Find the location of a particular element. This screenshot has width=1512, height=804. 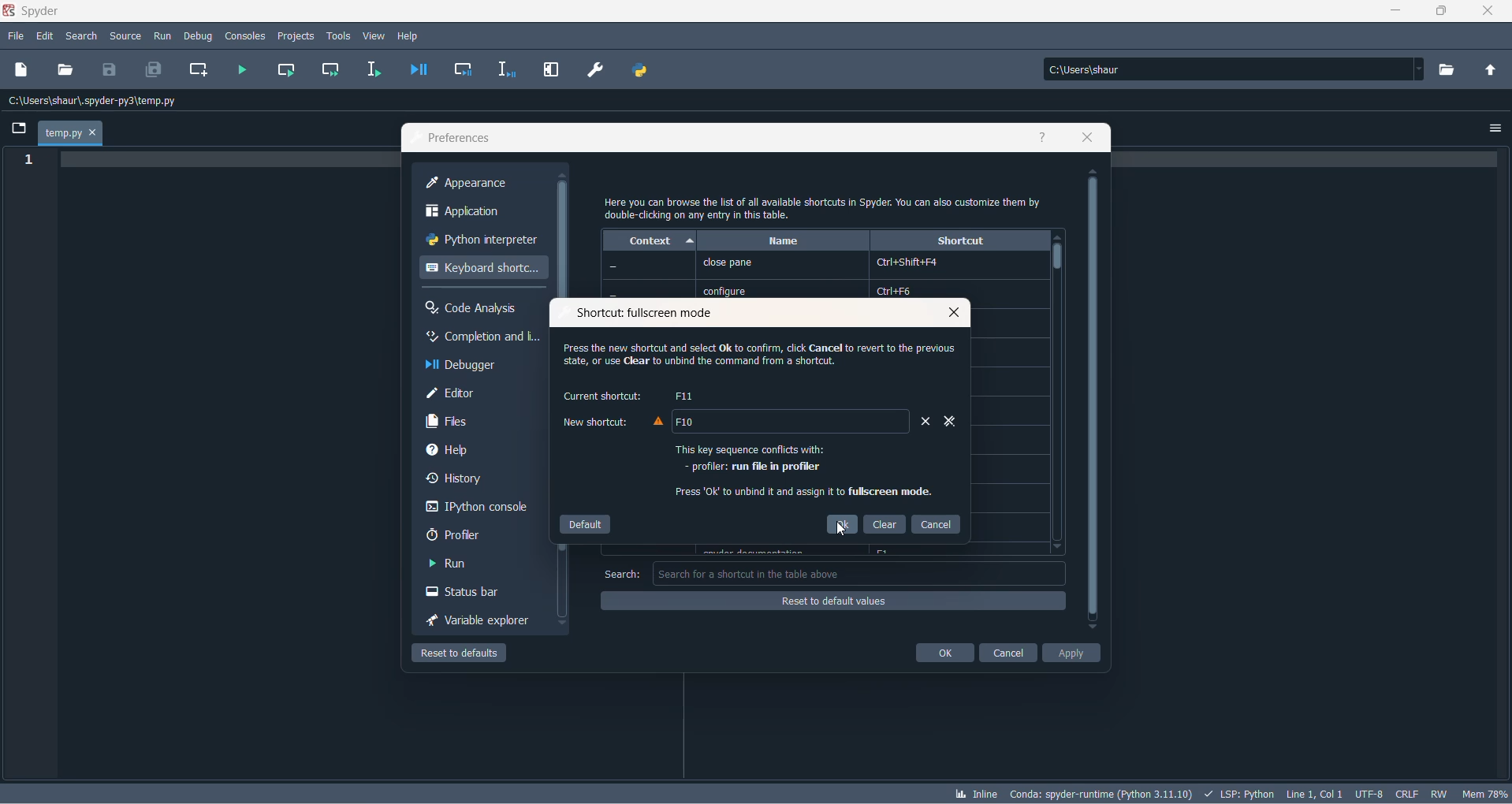

files is located at coordinates (484, 422).